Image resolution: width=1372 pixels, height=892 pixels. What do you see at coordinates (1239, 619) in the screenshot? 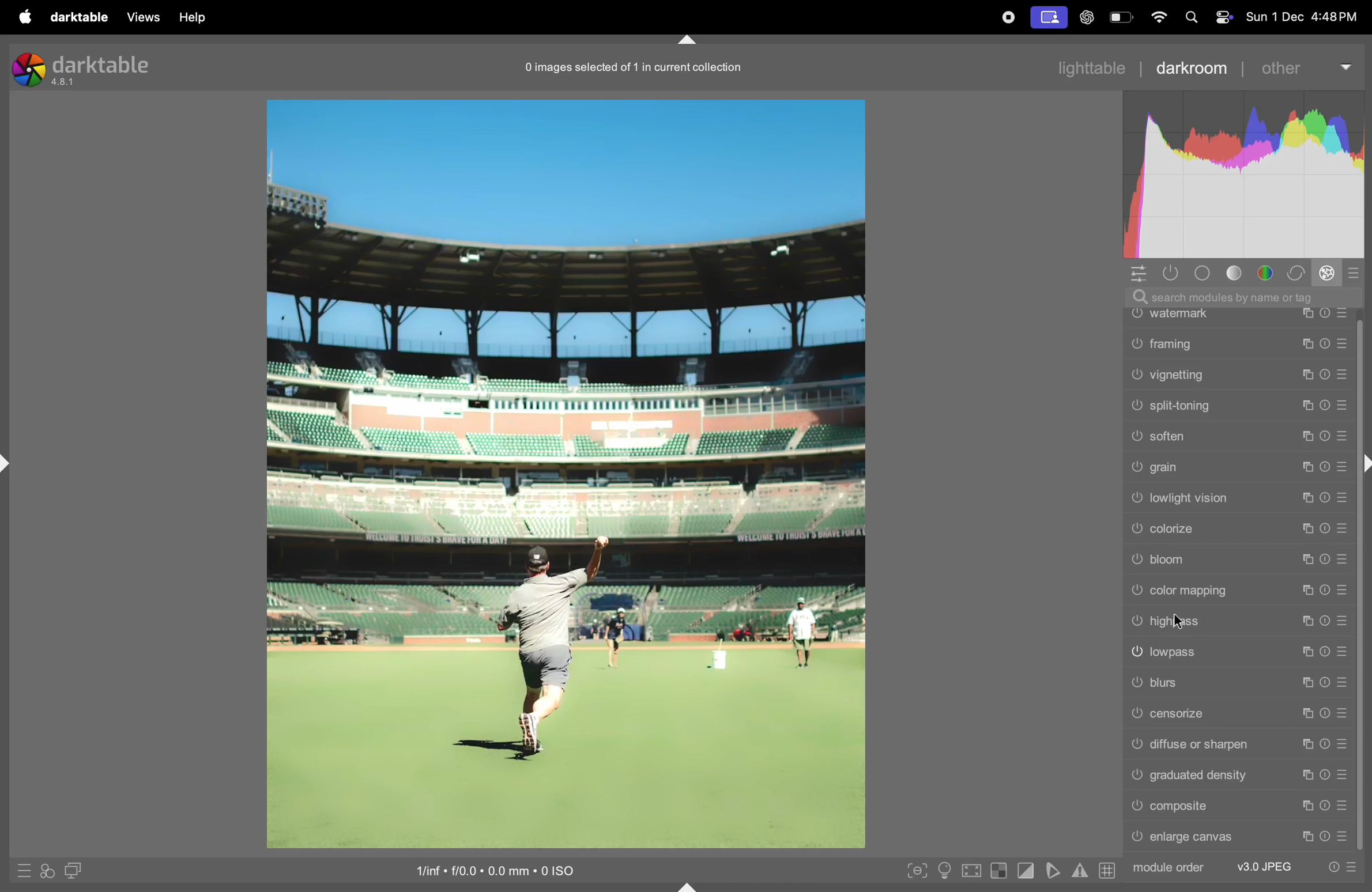
I see `highpass` at bounding box center [1239, 619].